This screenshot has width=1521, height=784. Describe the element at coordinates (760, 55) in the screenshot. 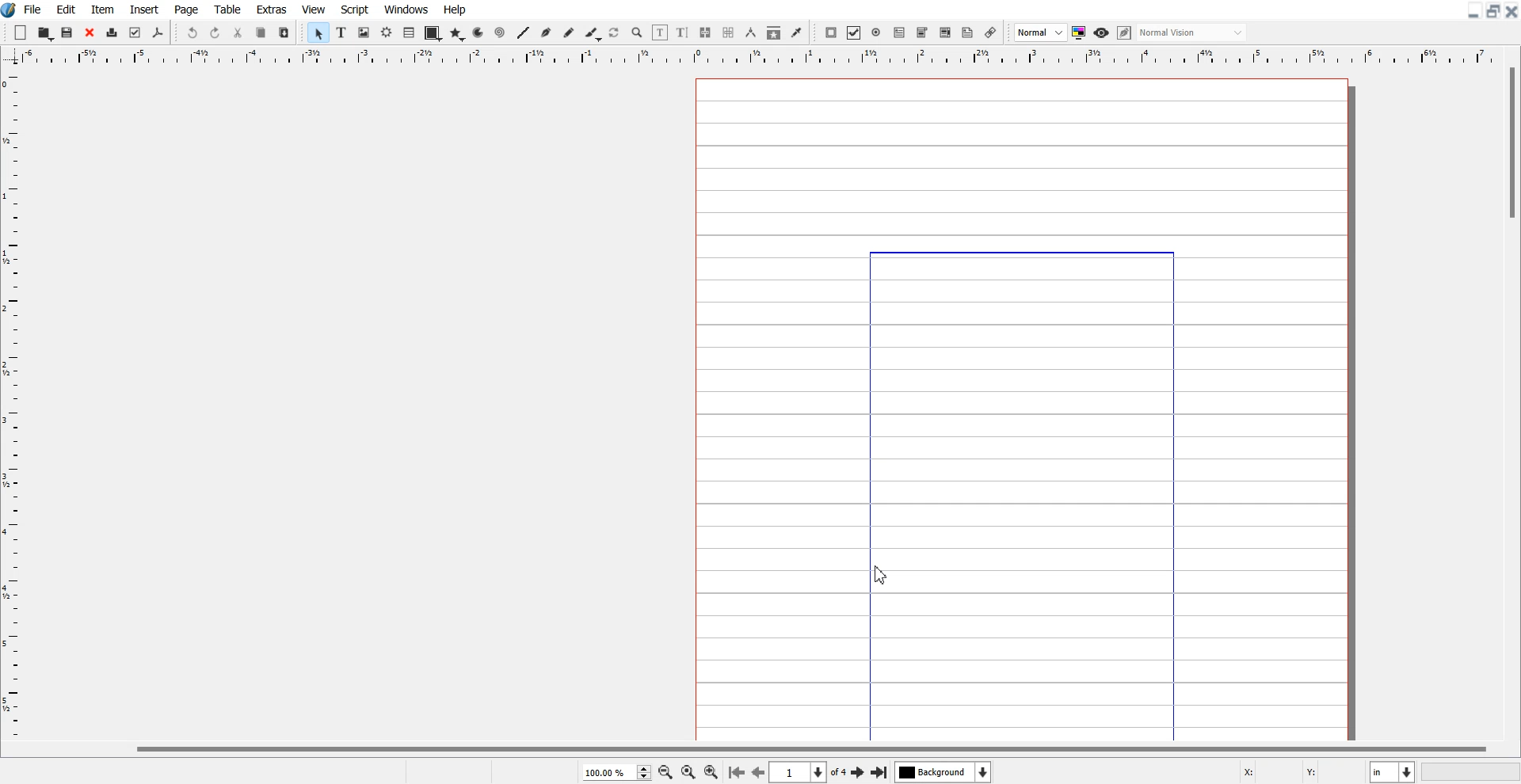

I see `Horizontal Scale` at that location.